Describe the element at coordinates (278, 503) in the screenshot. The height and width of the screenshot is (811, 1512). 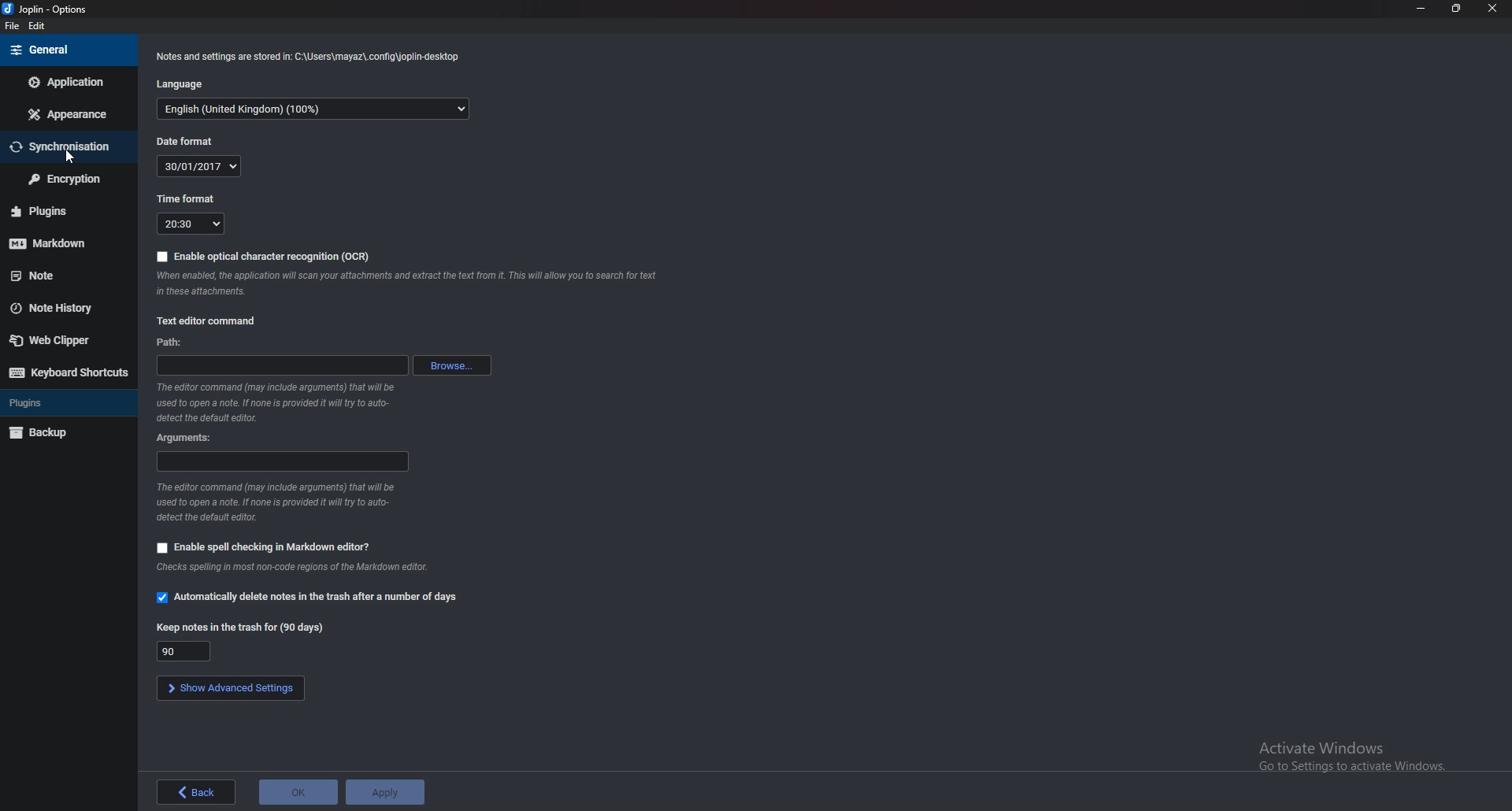
I see `info` at that location.